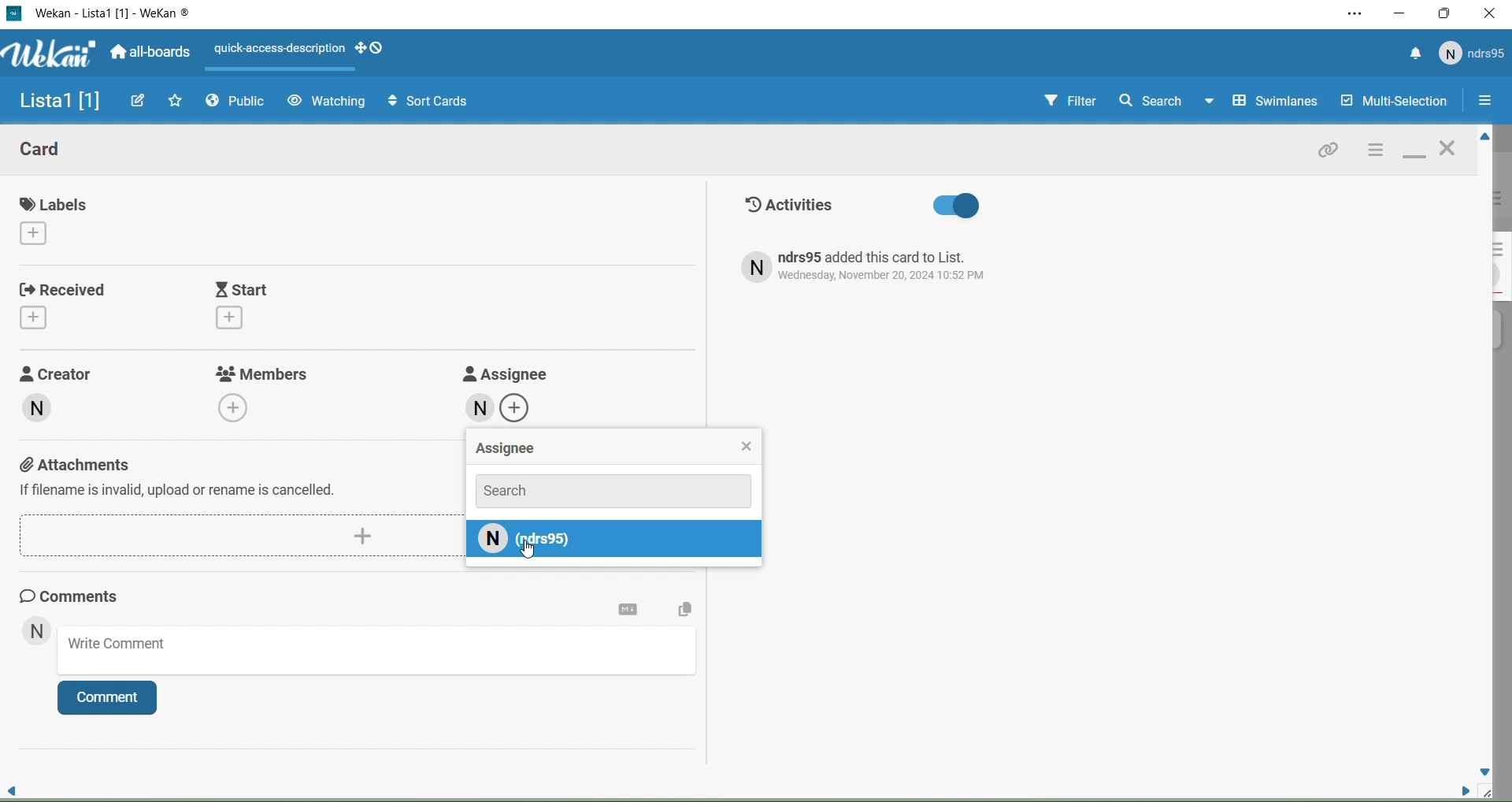  What do you see at coordinates (13, 786) in the screenshot?
I see `move left` at bounding box center [13, 786].